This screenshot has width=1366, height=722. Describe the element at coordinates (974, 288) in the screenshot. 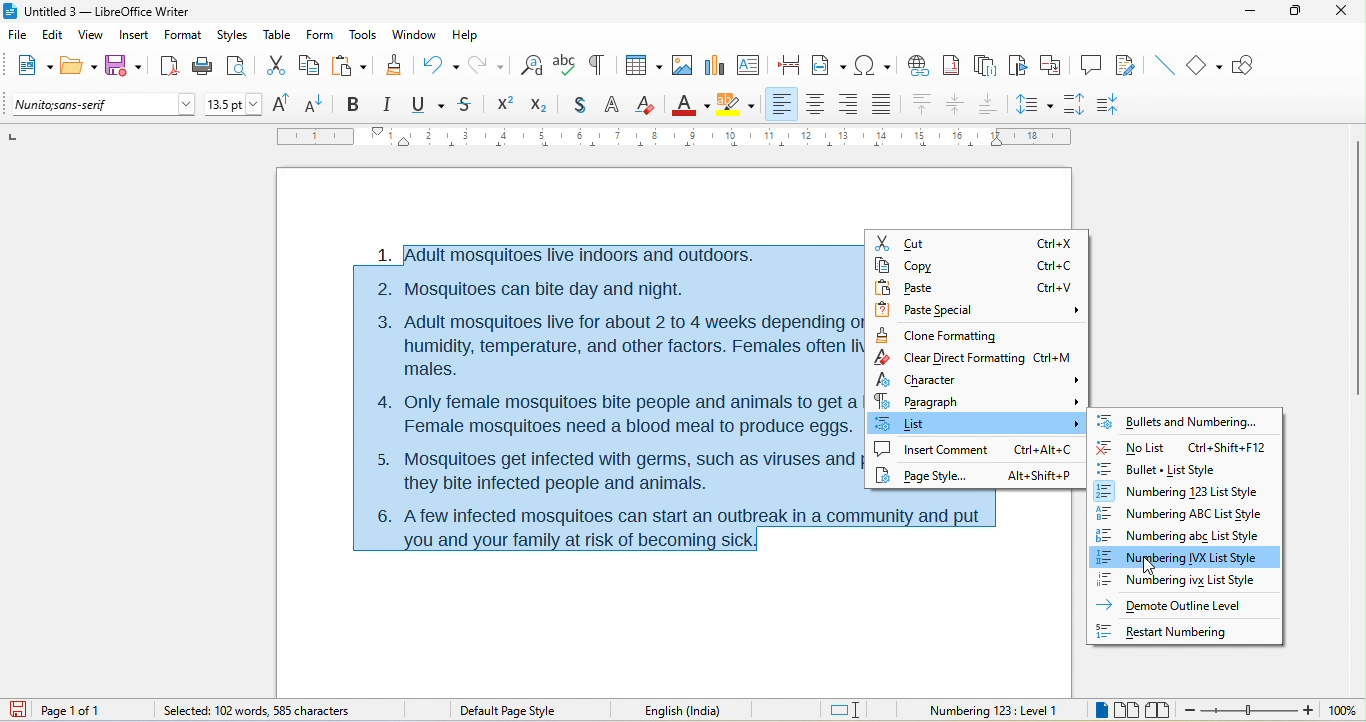

I see `paste` at that location.